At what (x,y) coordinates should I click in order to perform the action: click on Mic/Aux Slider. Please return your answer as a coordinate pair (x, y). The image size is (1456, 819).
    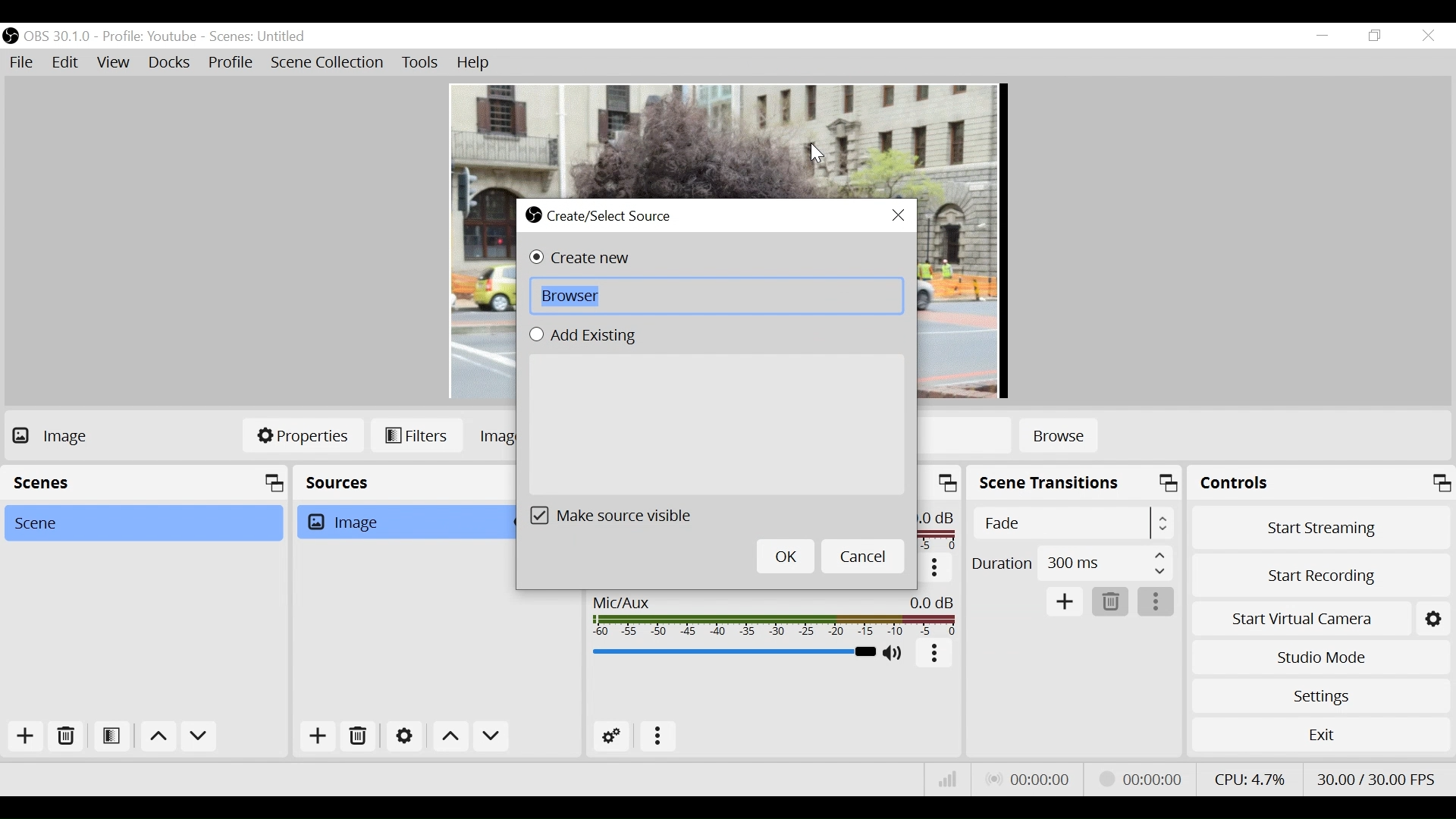
    Looking at the image, I should click on (734, 651).